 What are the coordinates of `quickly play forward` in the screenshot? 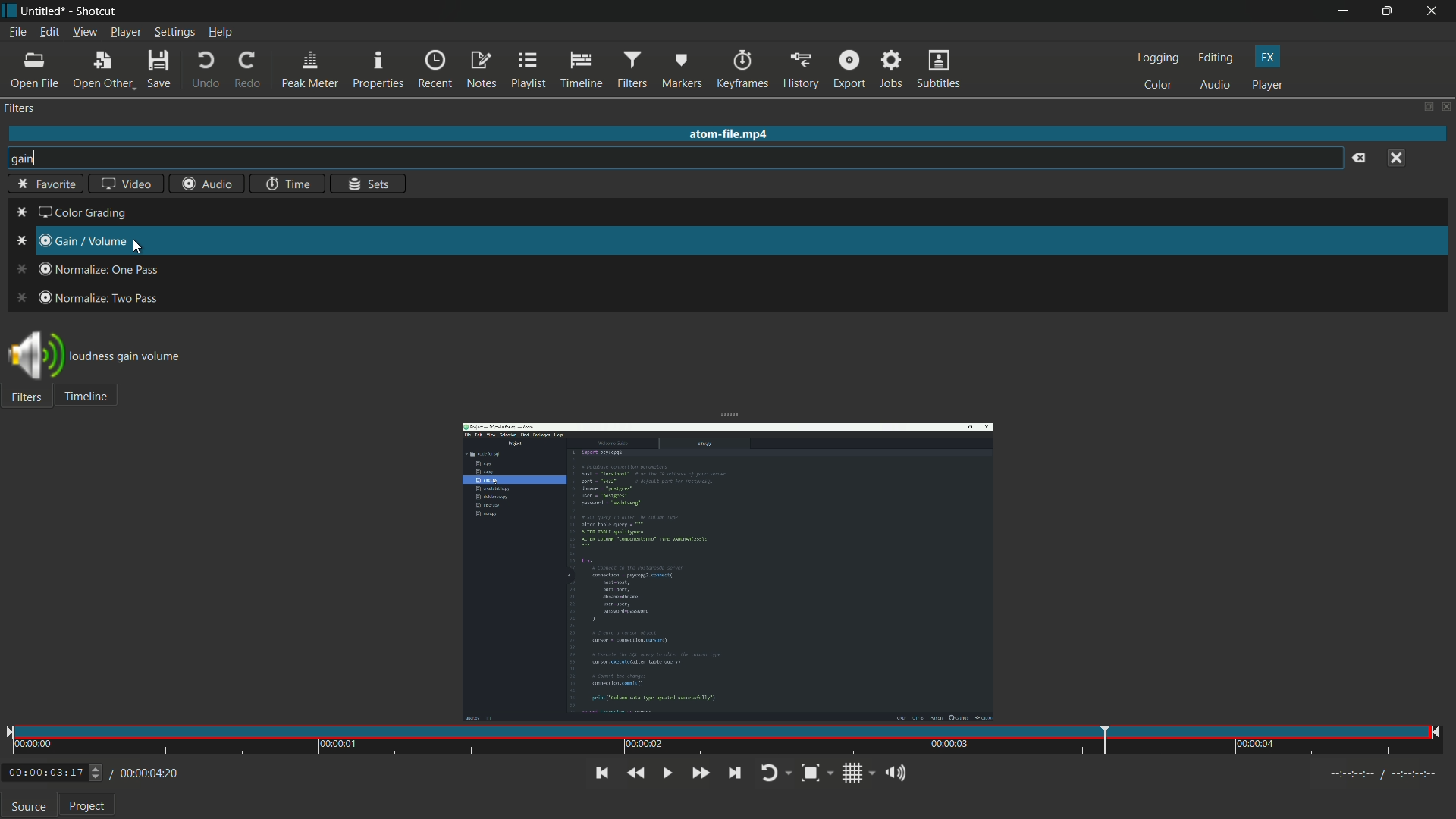 It's located at (702, 773).